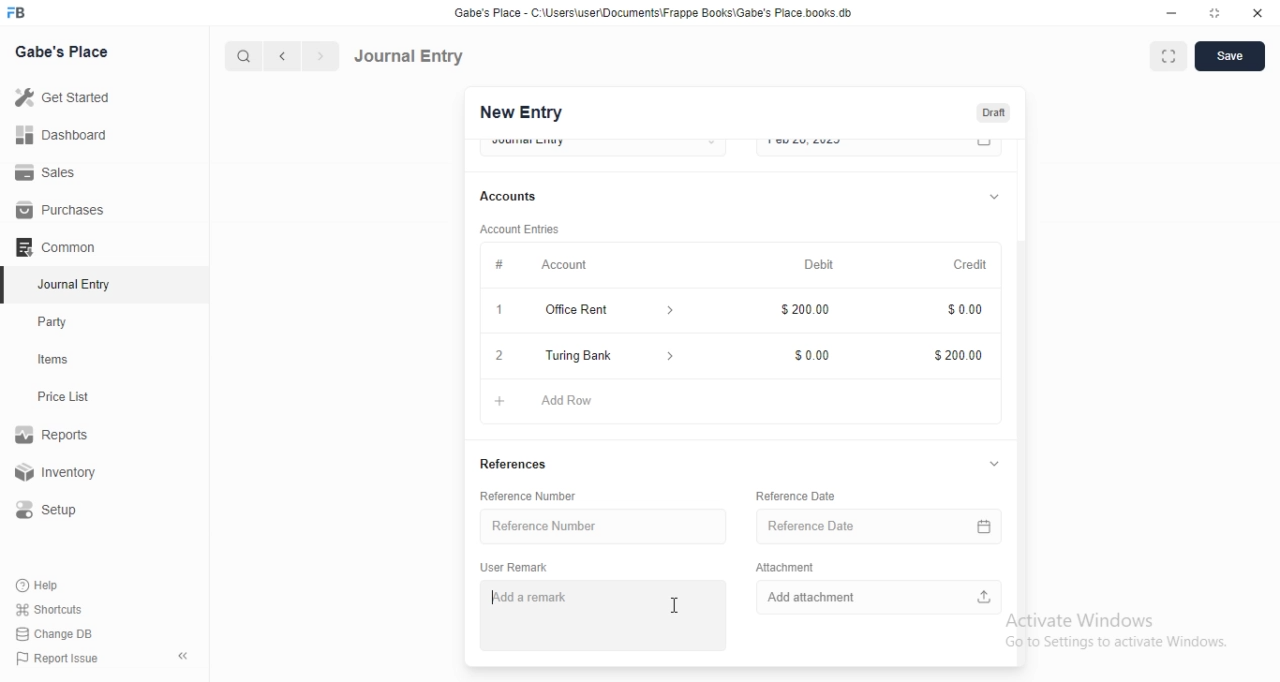  I want to click on Office Rent, so click(580, 310).